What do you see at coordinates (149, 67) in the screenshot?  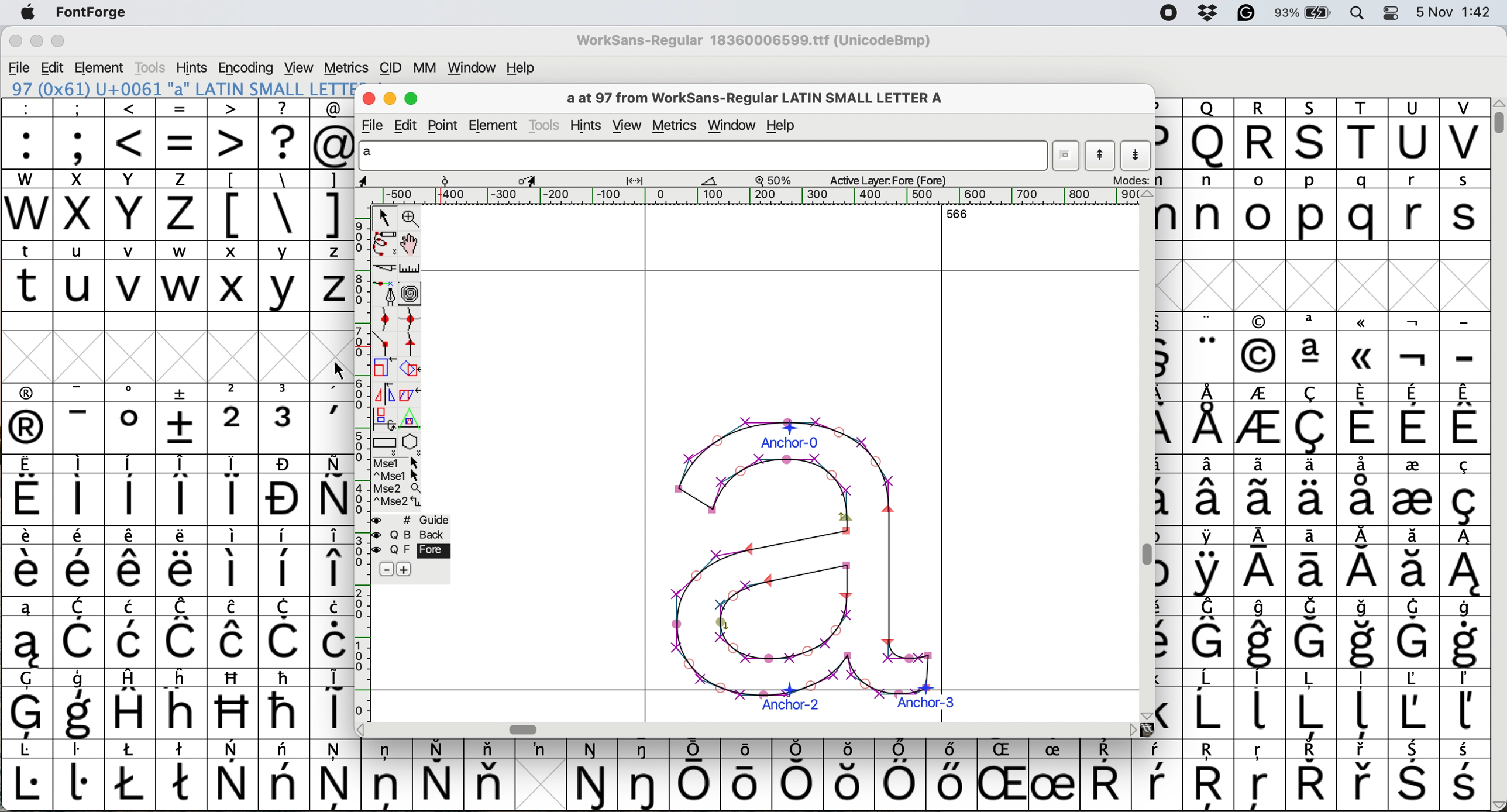 I see `tools` at bounding box center [149, 67].